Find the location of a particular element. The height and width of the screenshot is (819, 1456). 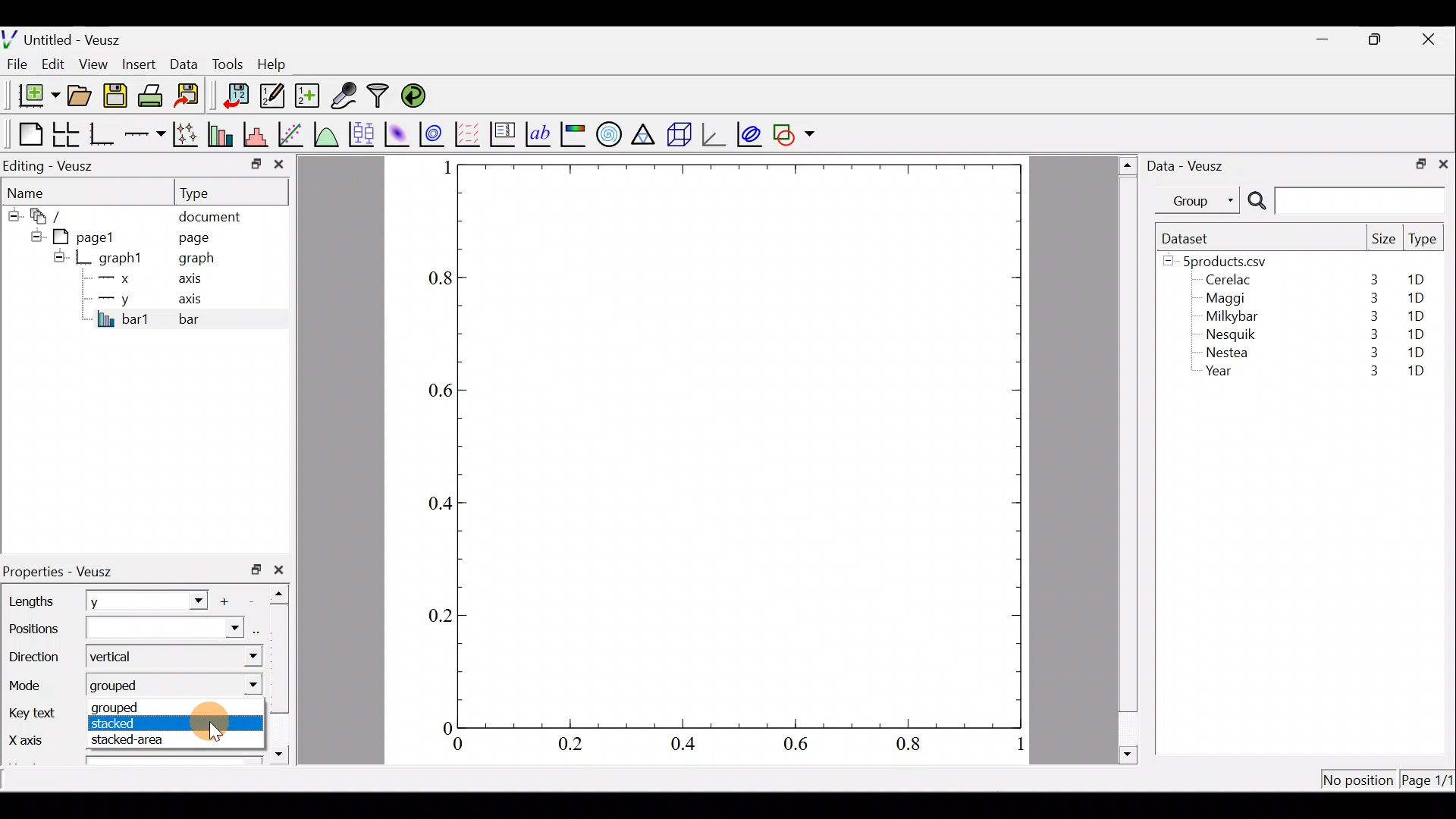

Type is located at coordinates (1424, 243).